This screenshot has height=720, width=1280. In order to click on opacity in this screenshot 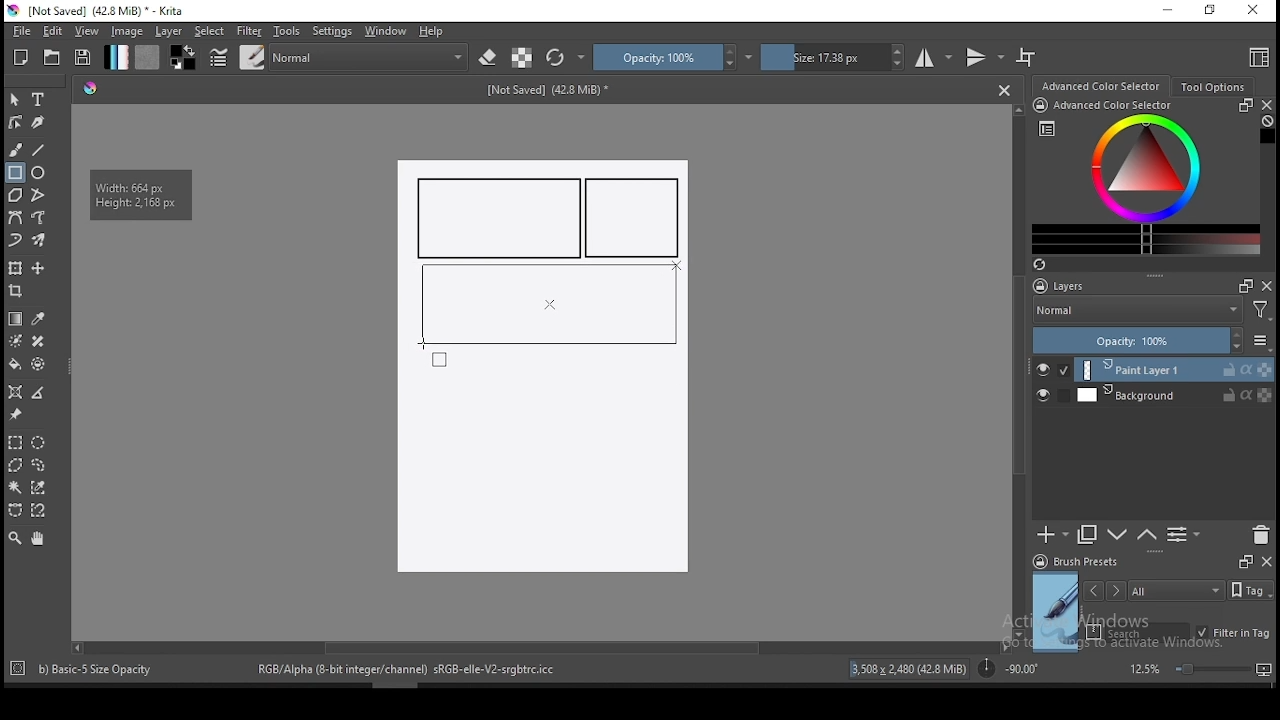, I will do `click(1150, 342)`.